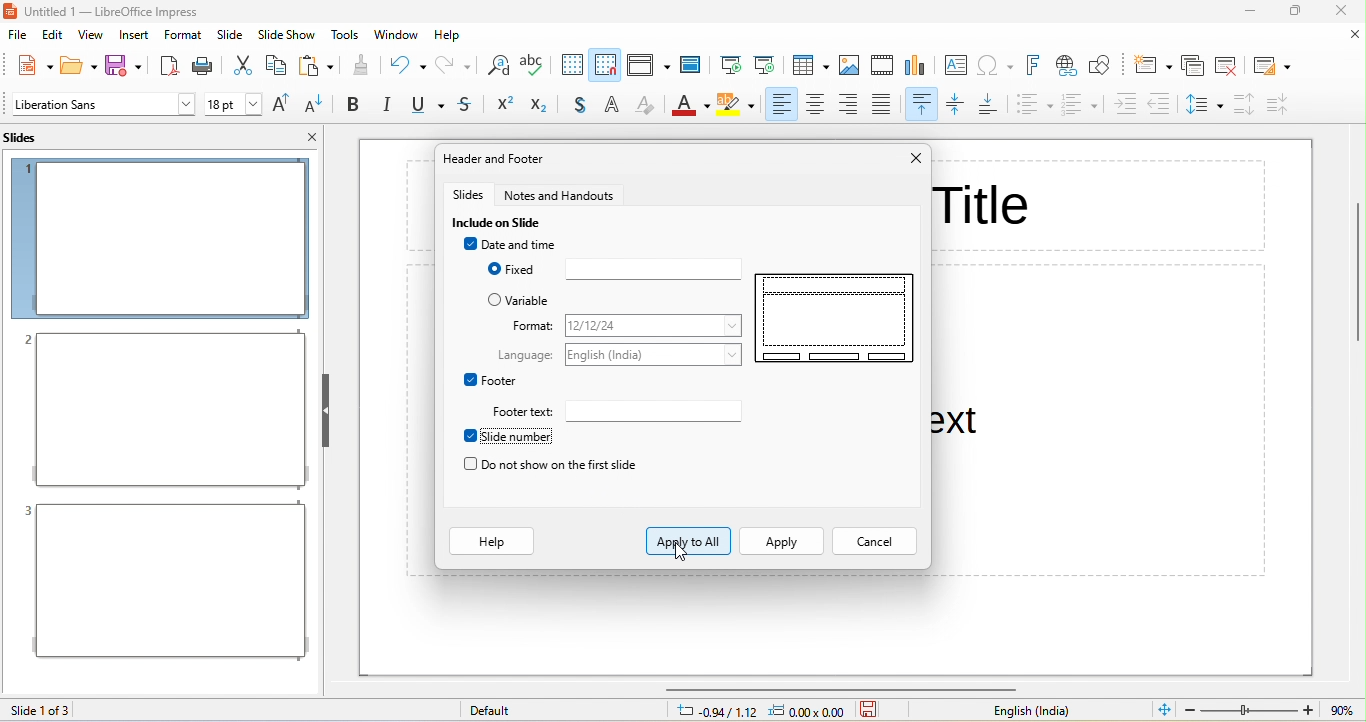 The width and height of the screenshot is (1366, 722). What do you see at coordinates (275, 67) in the screenshot?
I see `ccopy` at bounding box center [275, 67].